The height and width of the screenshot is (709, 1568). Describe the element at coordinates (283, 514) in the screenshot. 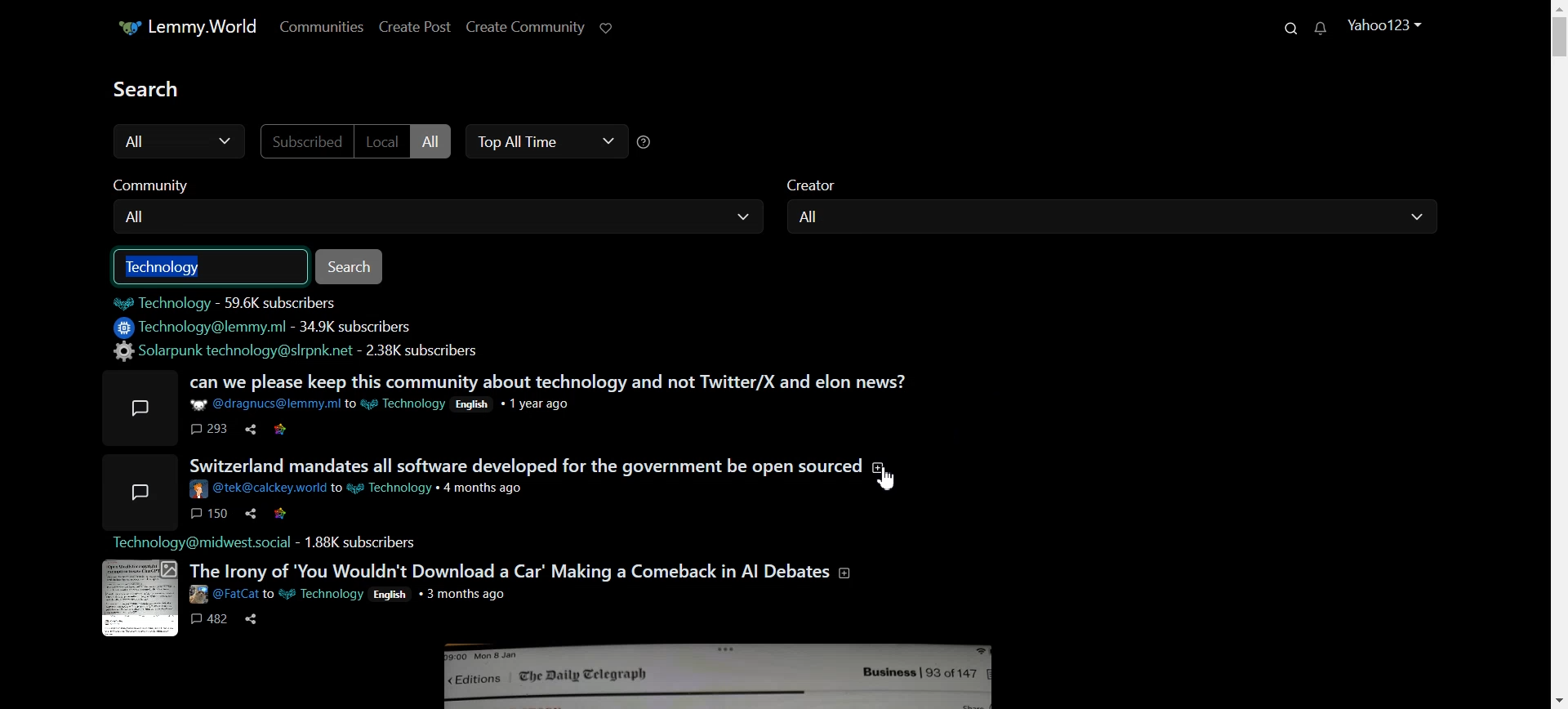

I see `link` at that location.